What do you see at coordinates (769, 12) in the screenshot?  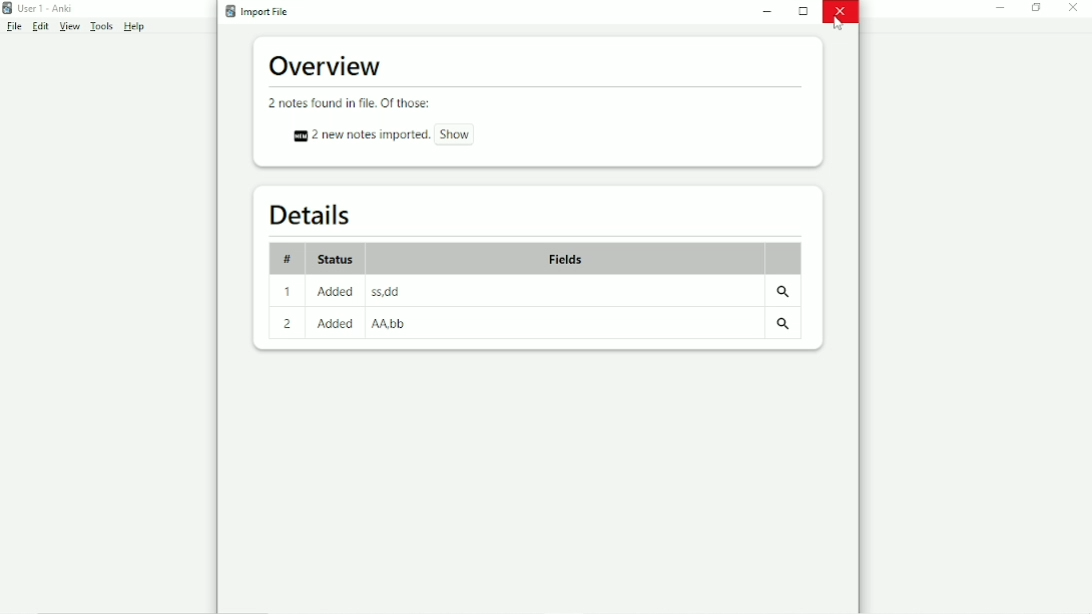 I see `Minimize` at bounding box center [769, 12].